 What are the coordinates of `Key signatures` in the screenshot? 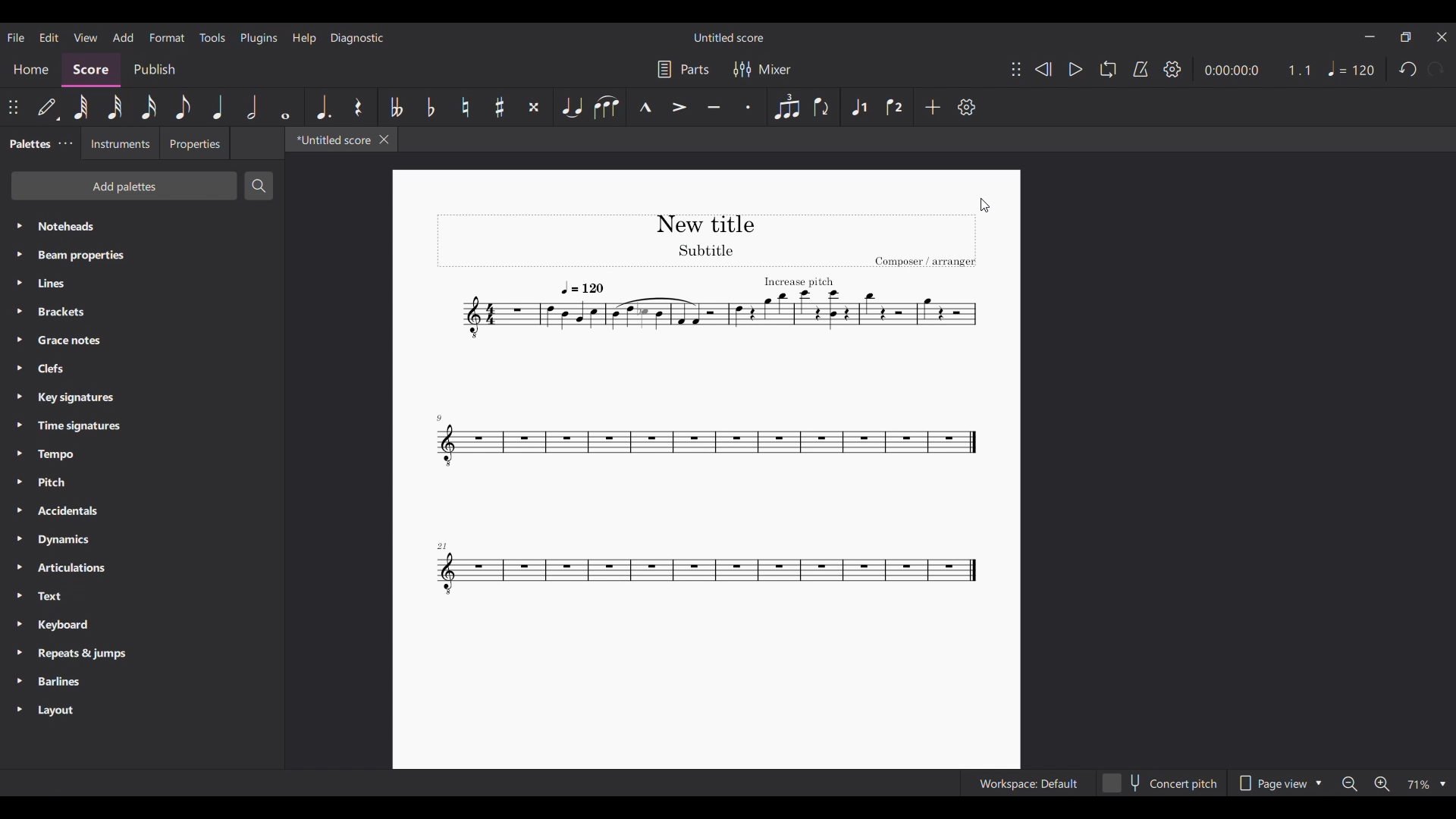 It's located at (142, 398).